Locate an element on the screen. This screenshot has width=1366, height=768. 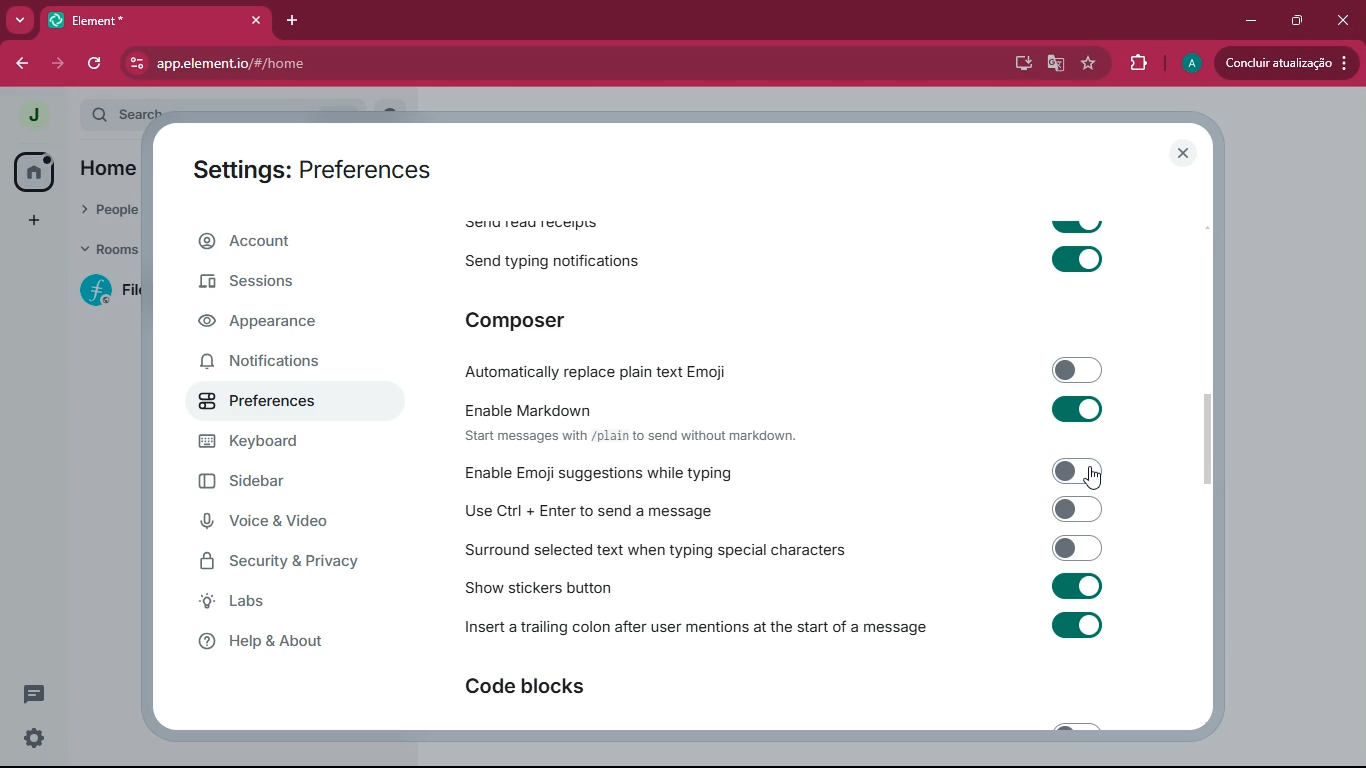
sidebar is located at coordinates (282, 484).